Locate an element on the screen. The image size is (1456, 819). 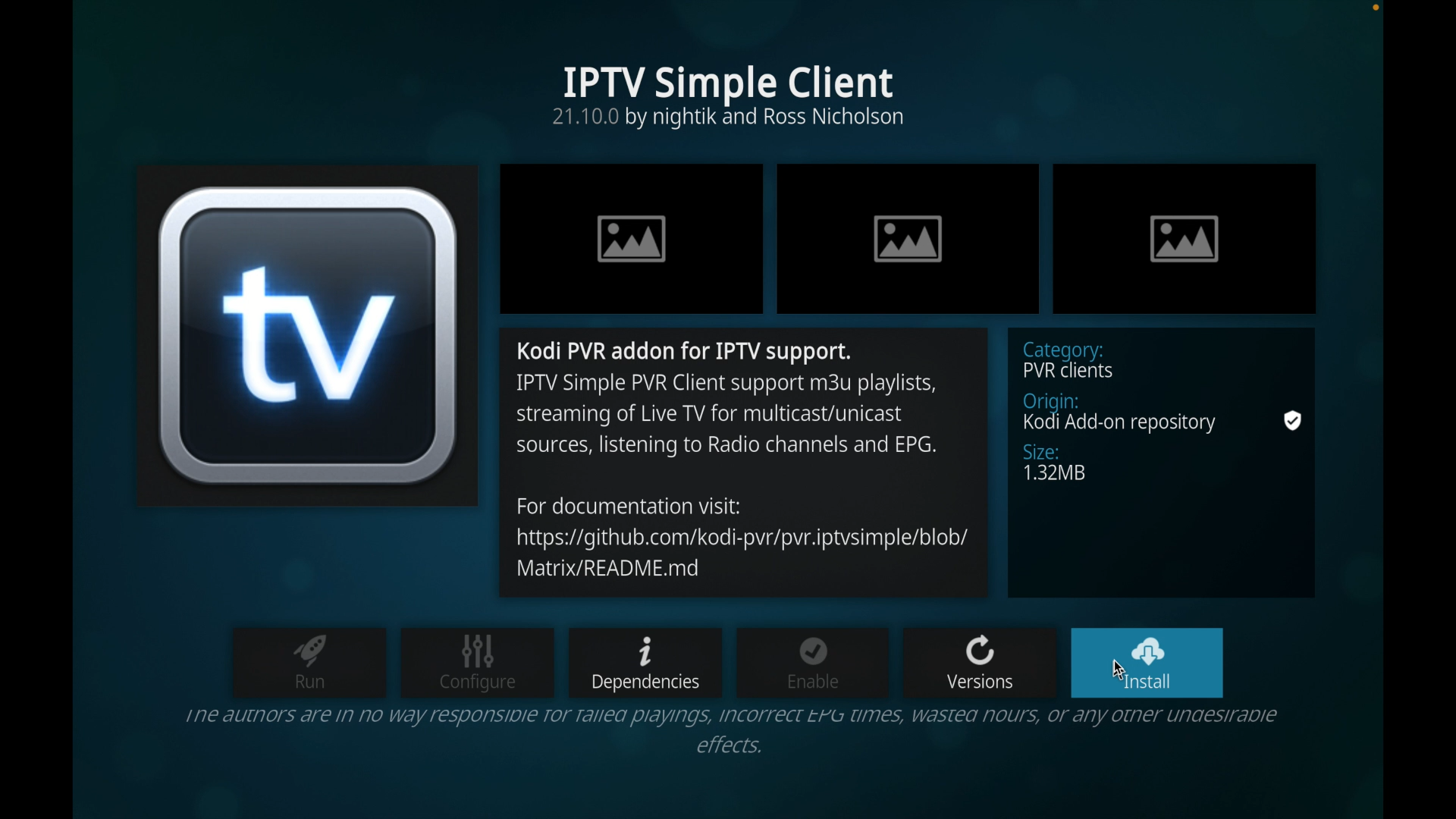
versions is located at coordinates (979, 660).